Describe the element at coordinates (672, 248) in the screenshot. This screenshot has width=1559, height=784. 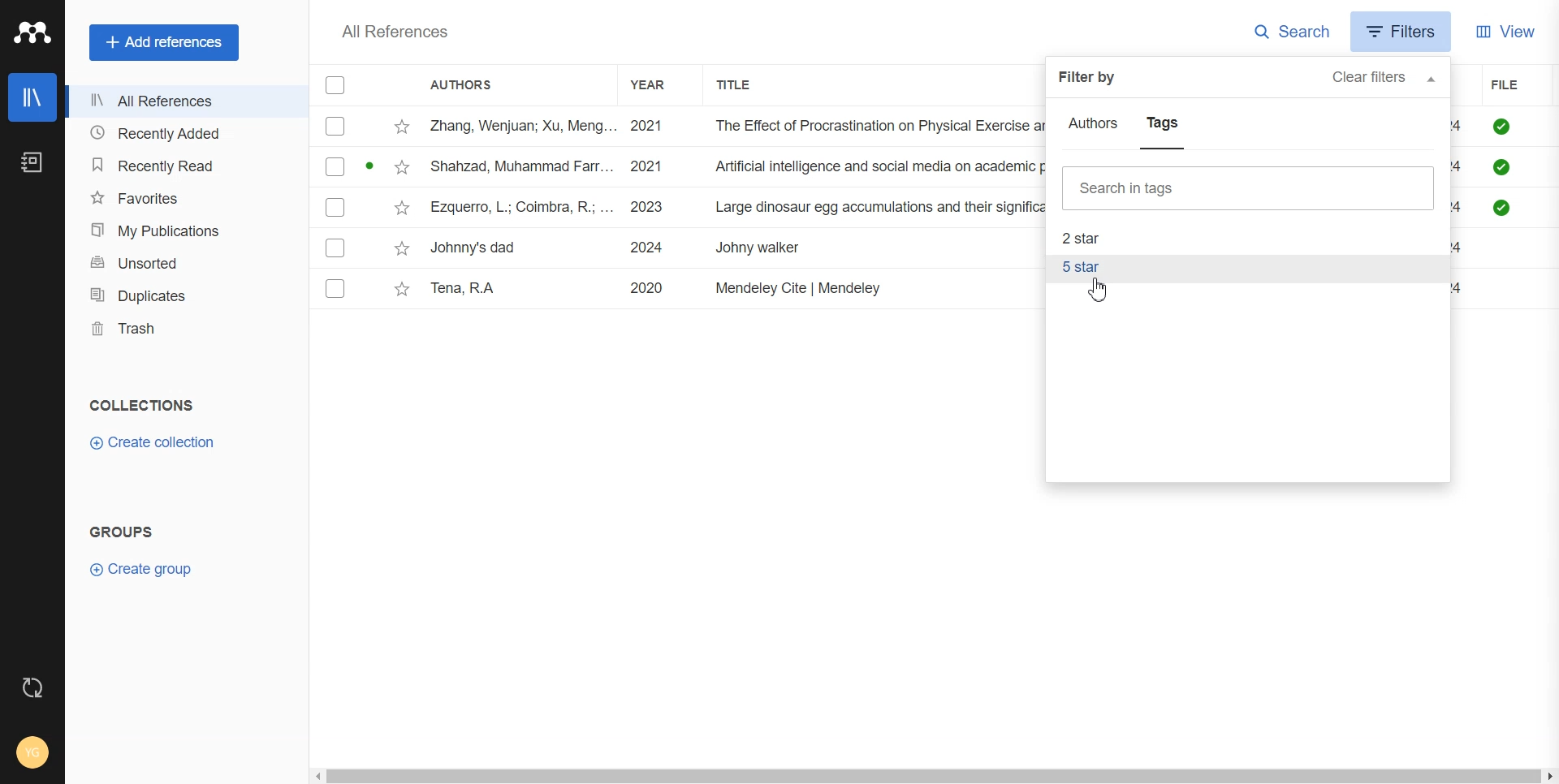
I see `File` at that location.